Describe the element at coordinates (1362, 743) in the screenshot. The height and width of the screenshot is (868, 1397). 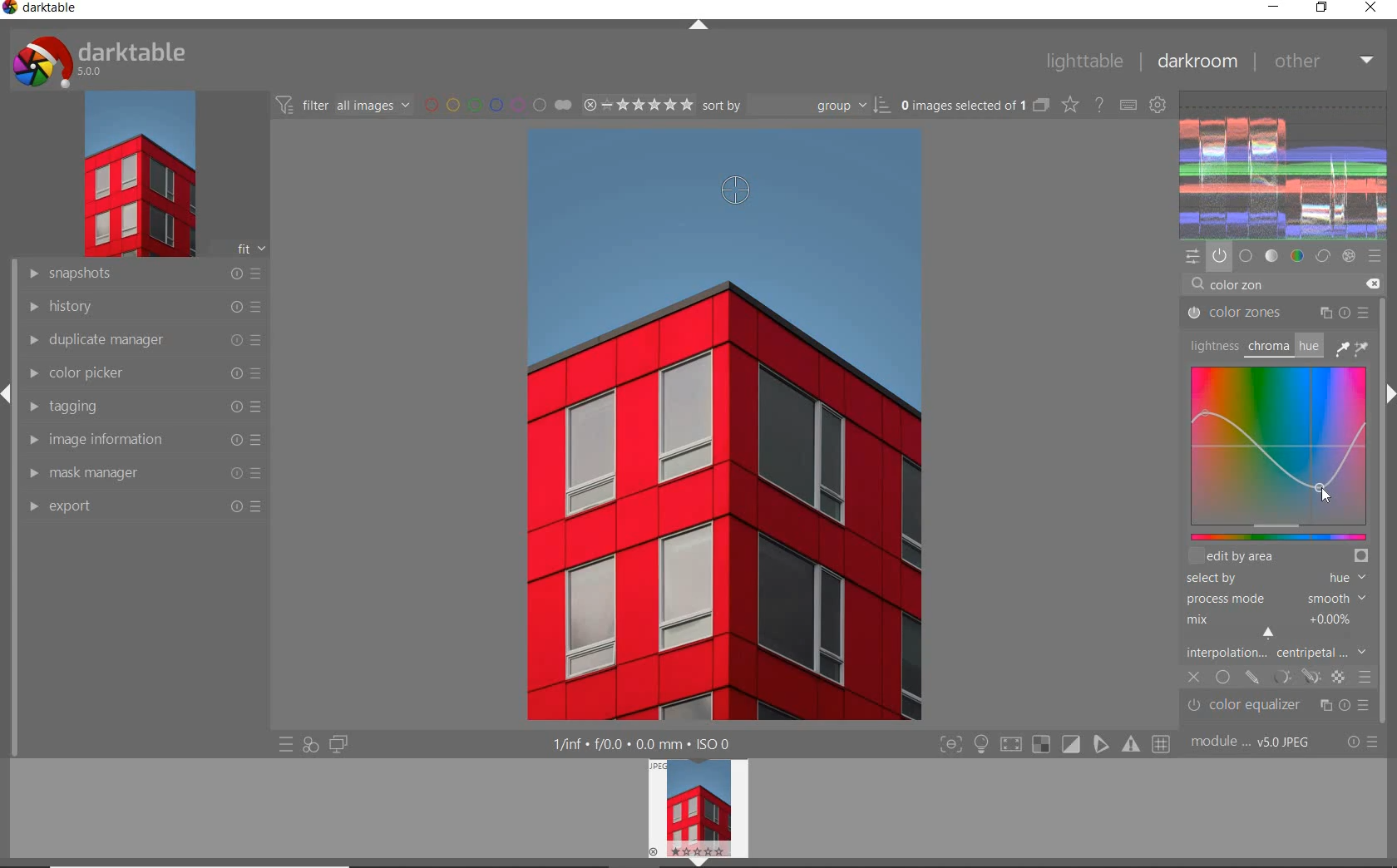
I see `reset or presets & preferences` at that location.